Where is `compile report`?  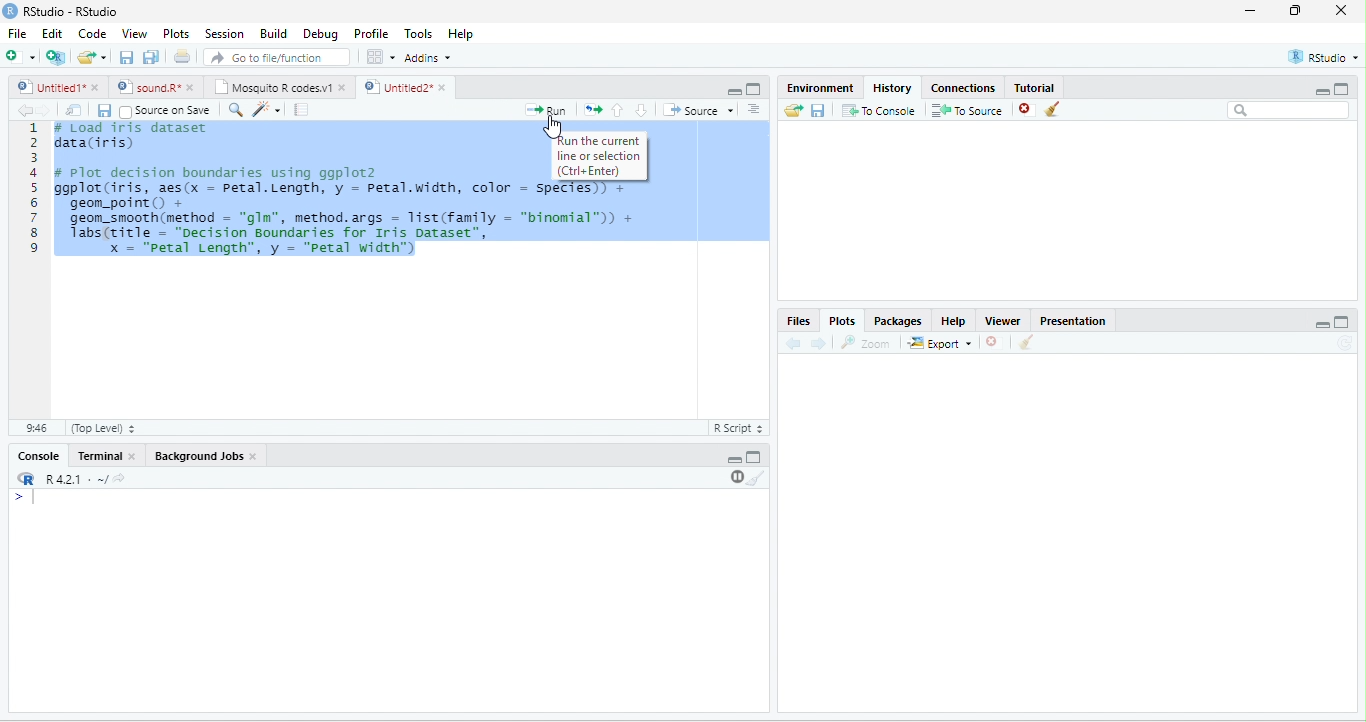 compile report is located at coordinates (301, 109).